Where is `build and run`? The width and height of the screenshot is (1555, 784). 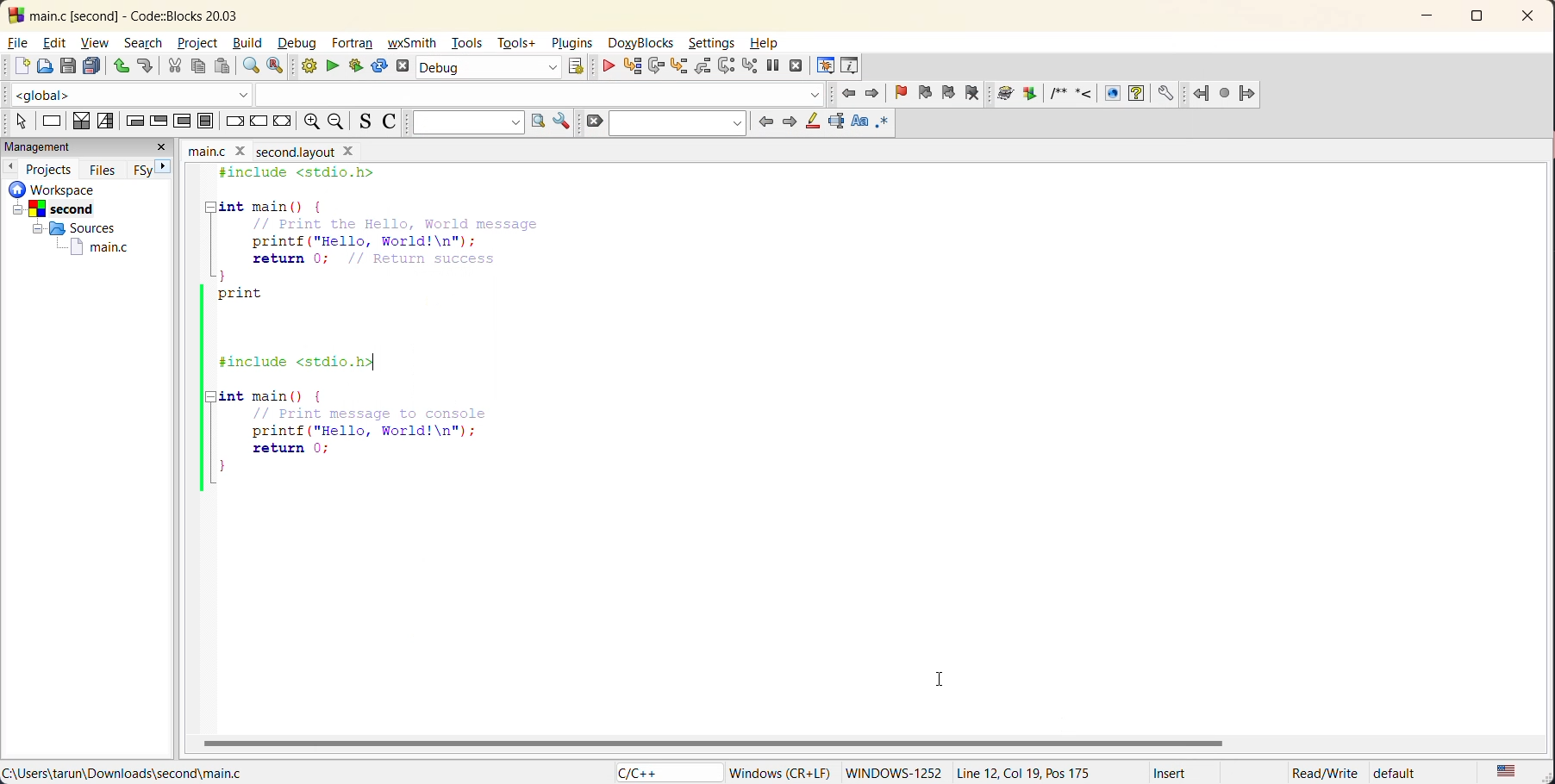 build and run is located at coordinates (356, 65).